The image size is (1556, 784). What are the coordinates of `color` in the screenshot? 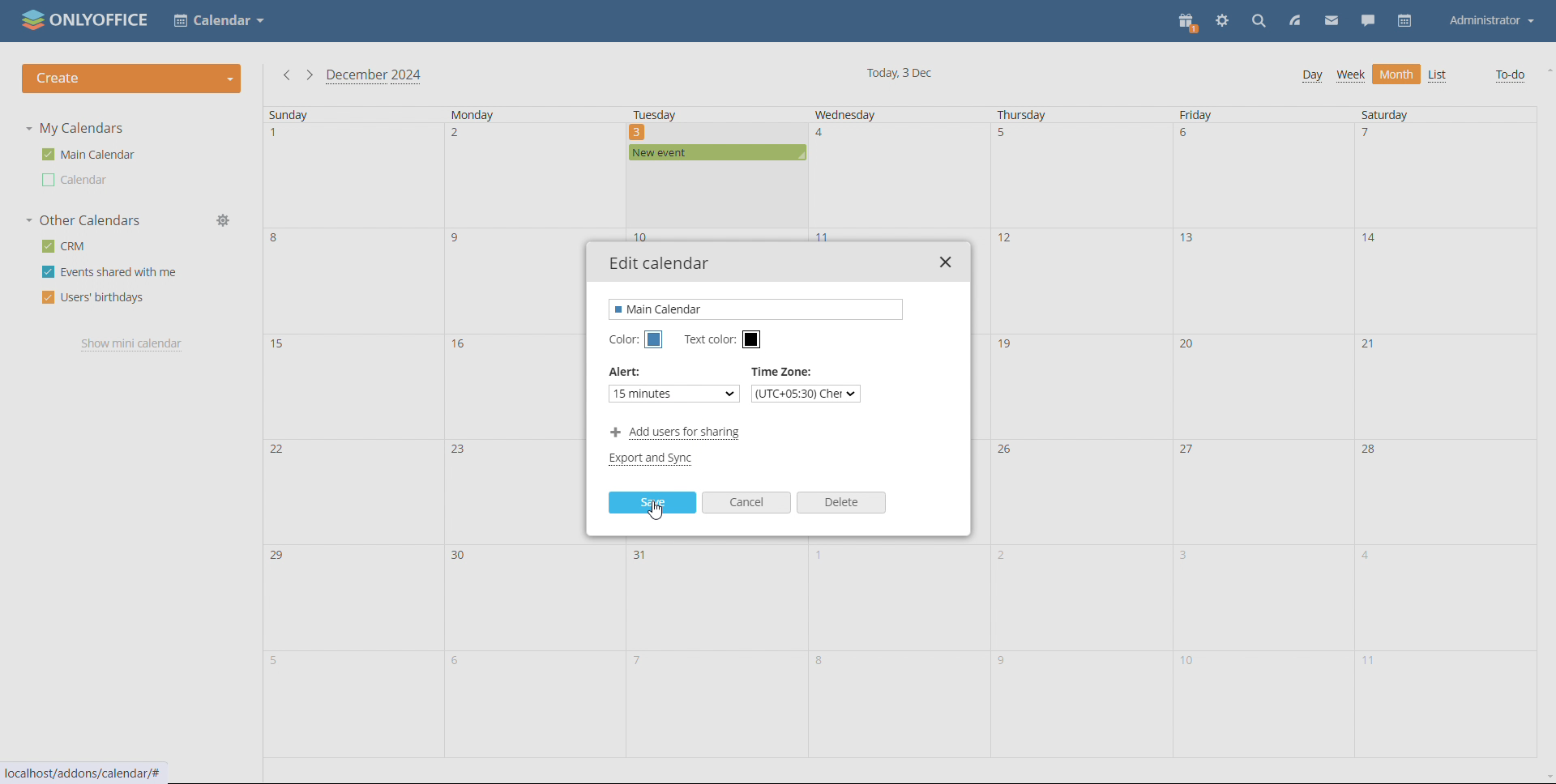 It's located at (622, 340).